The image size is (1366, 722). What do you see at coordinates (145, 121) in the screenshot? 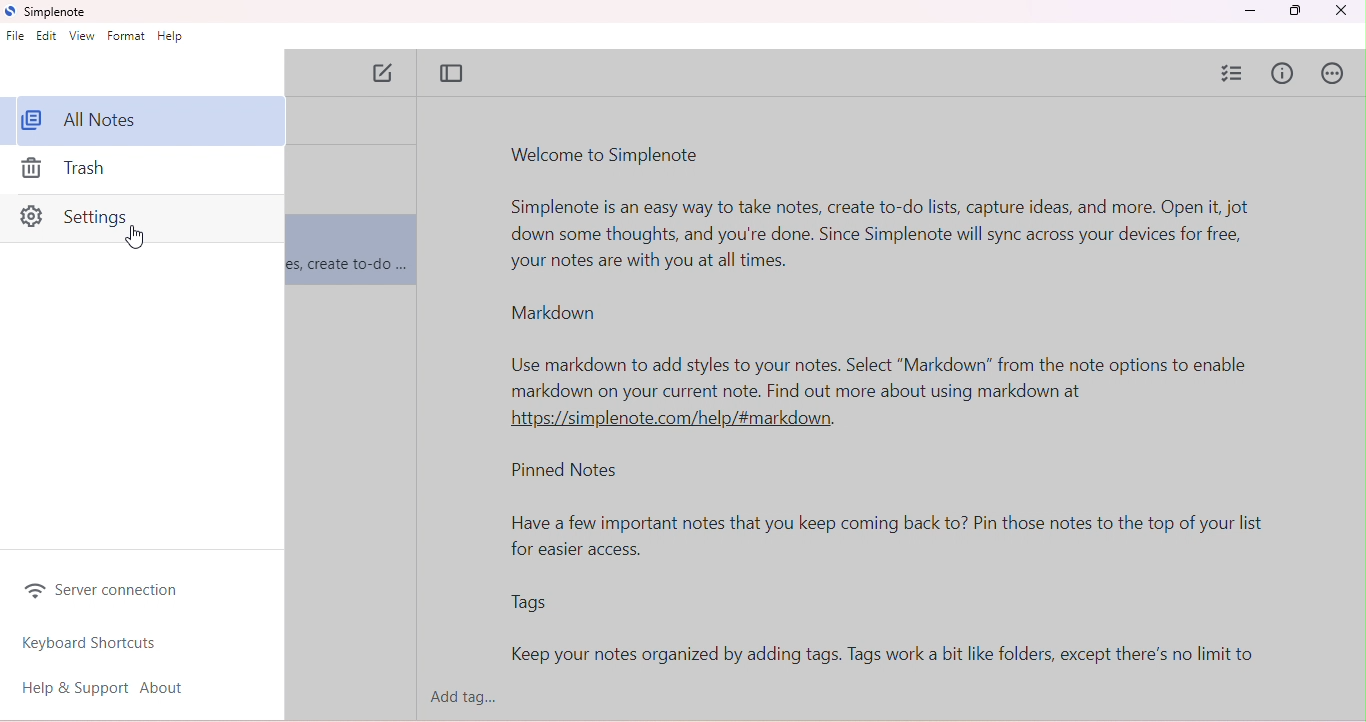
I see `all notes` at bounding box center [145, 121].